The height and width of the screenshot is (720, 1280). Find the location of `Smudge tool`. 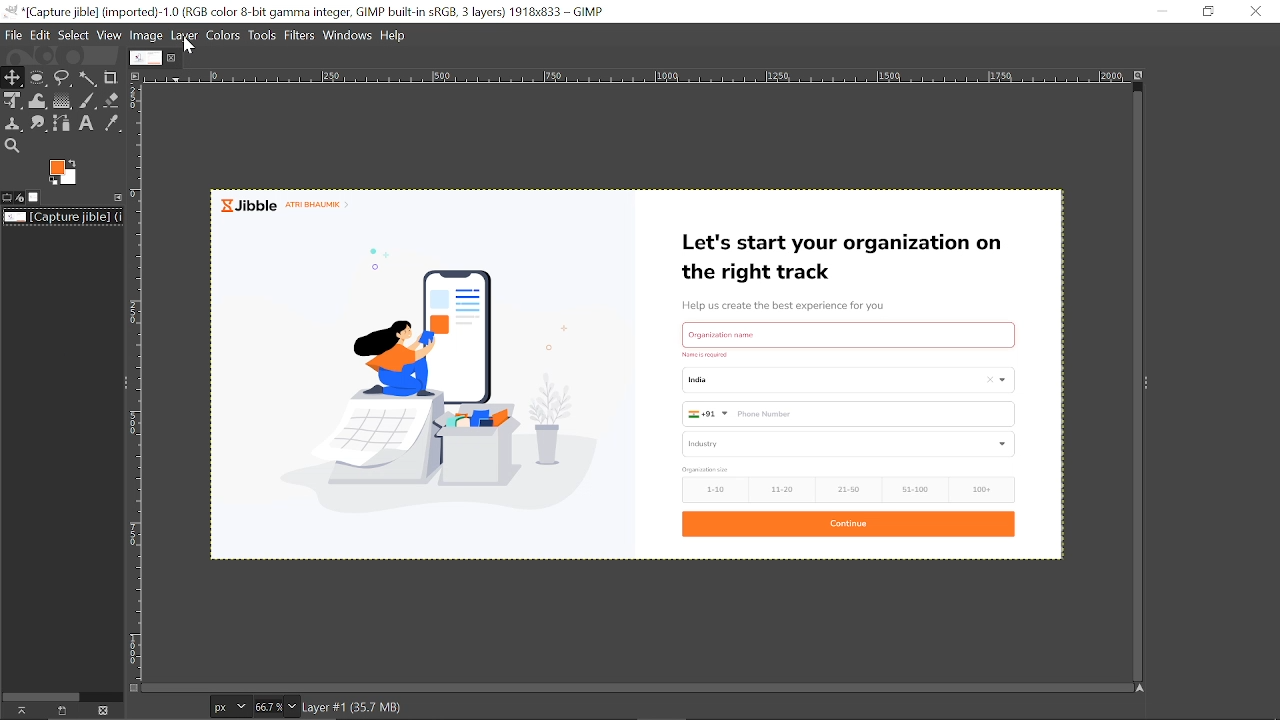

Smudge tool is located at coordinates (40, 124).